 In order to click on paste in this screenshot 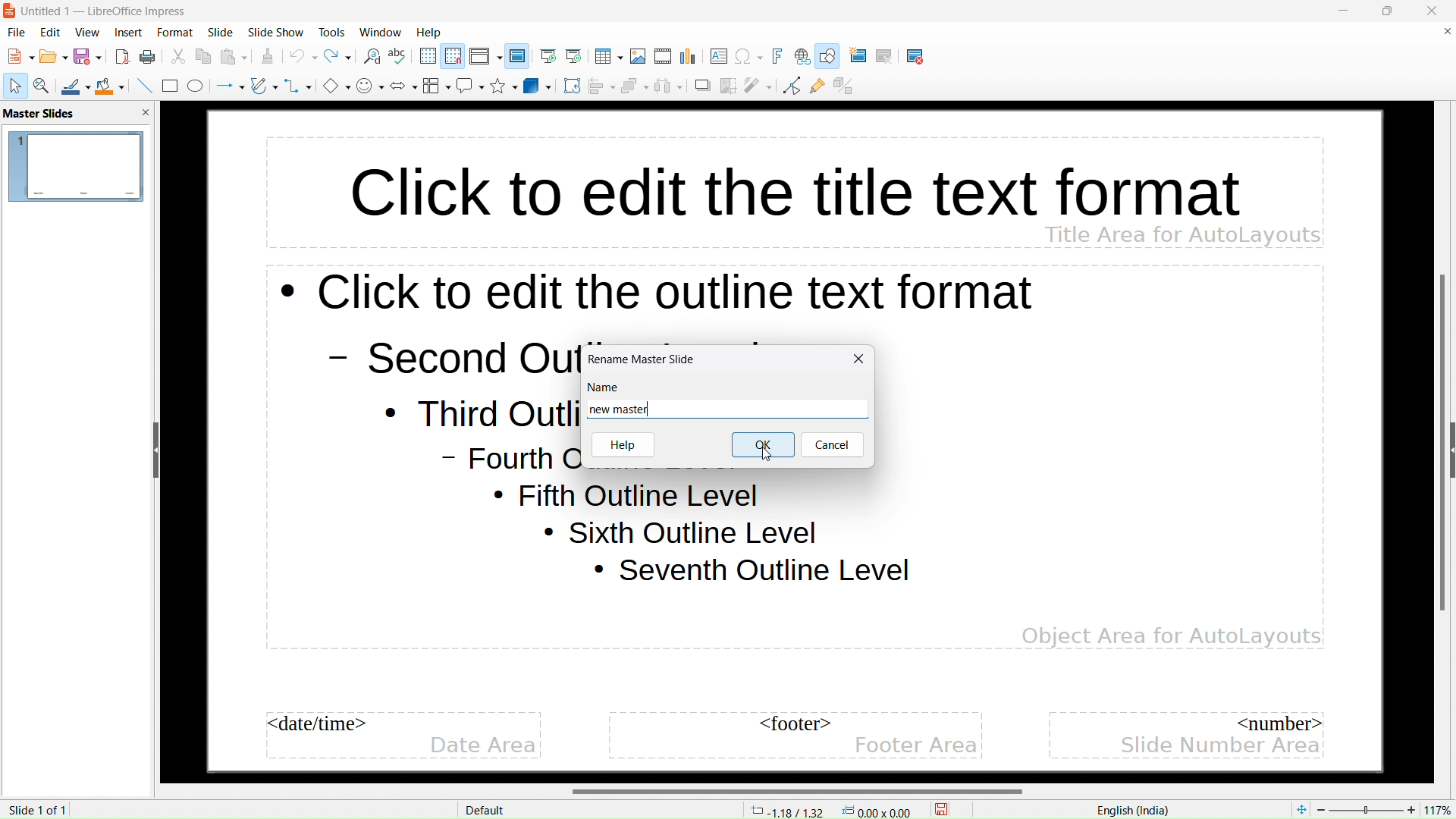, I will do `click(233, 57)`.